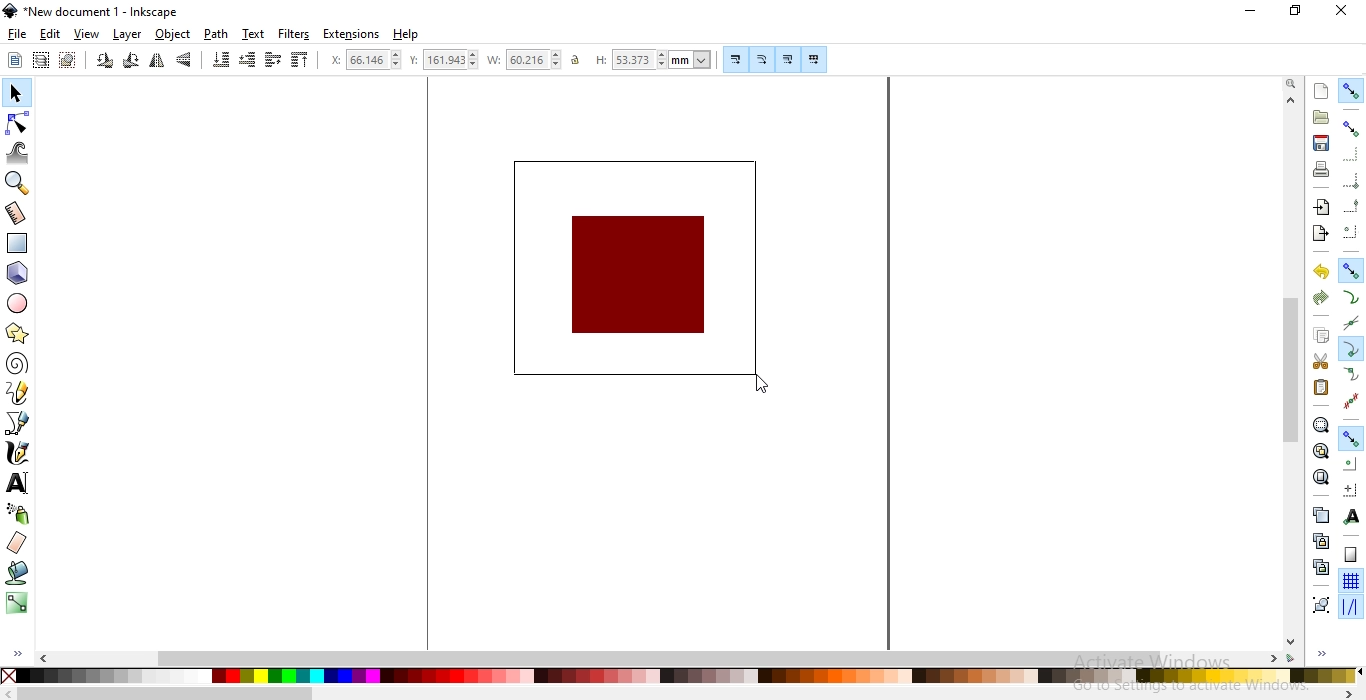 This screenshot has height=700, width=1366. What do you see at coordinates (66, 61) in the screenshot?
I see `deselect any selected objects or nodes` at bounding box center [66, 61].